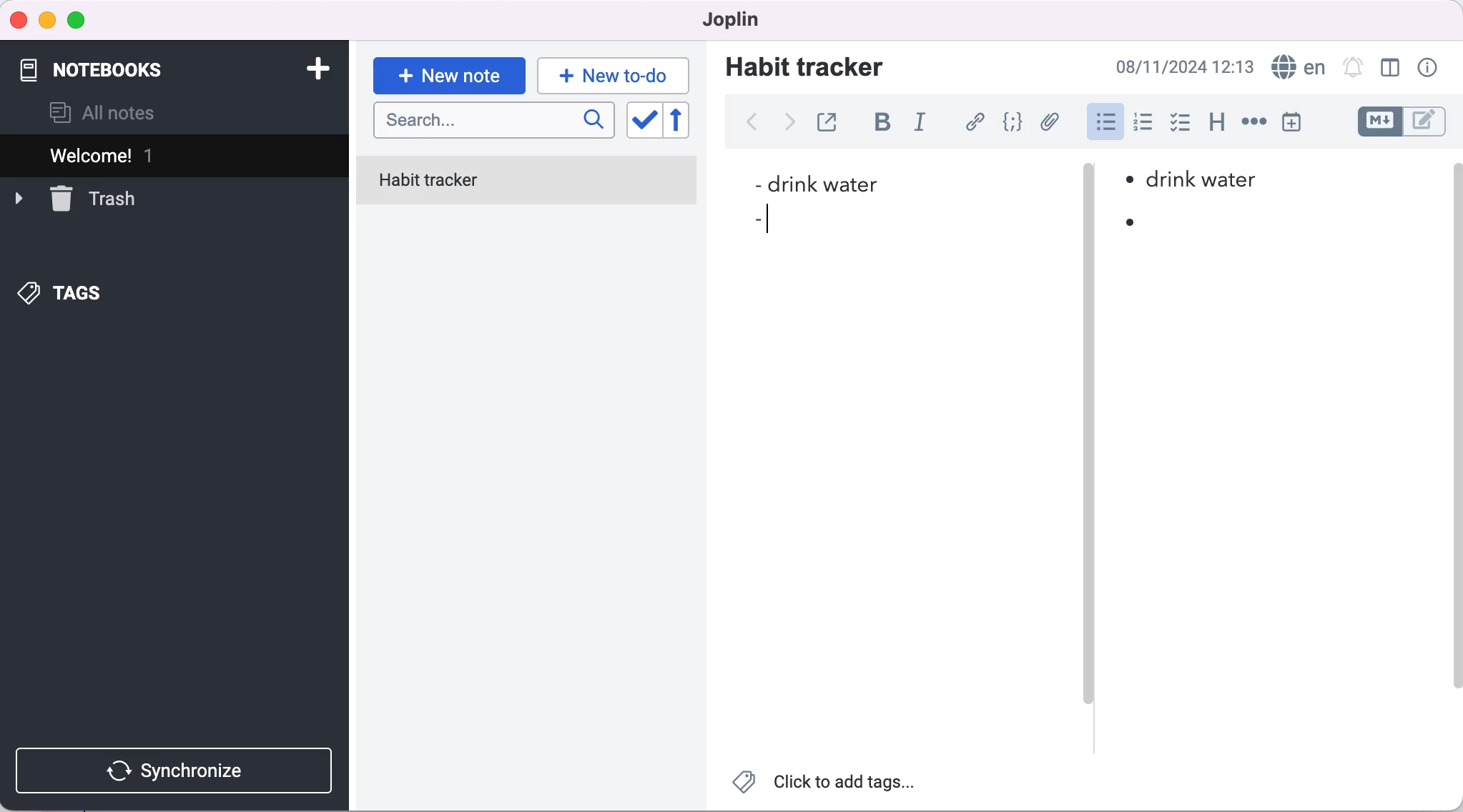  Describe the element at coordinates (977, 122) in the screenshot. I see `hyperlink` at that location.